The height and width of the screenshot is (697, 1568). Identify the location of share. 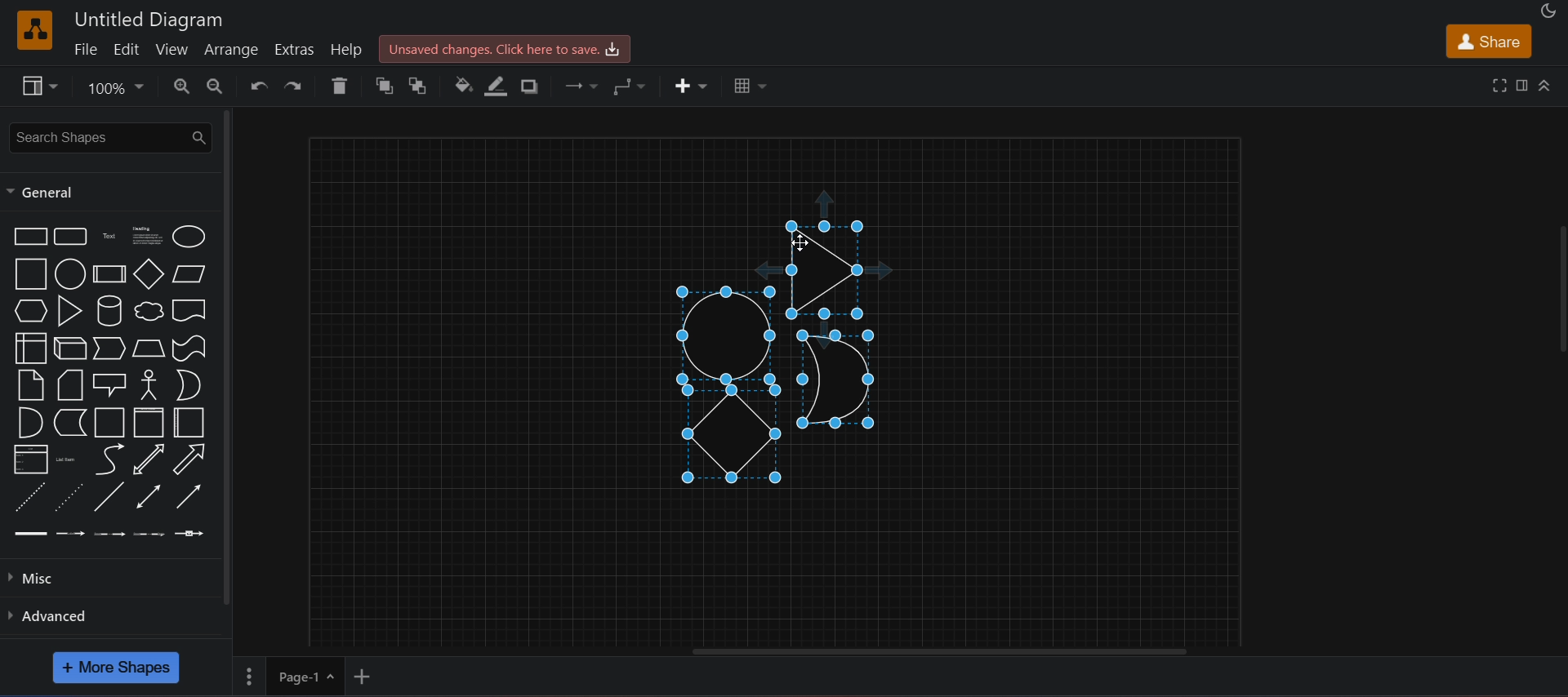
(1488, 41).